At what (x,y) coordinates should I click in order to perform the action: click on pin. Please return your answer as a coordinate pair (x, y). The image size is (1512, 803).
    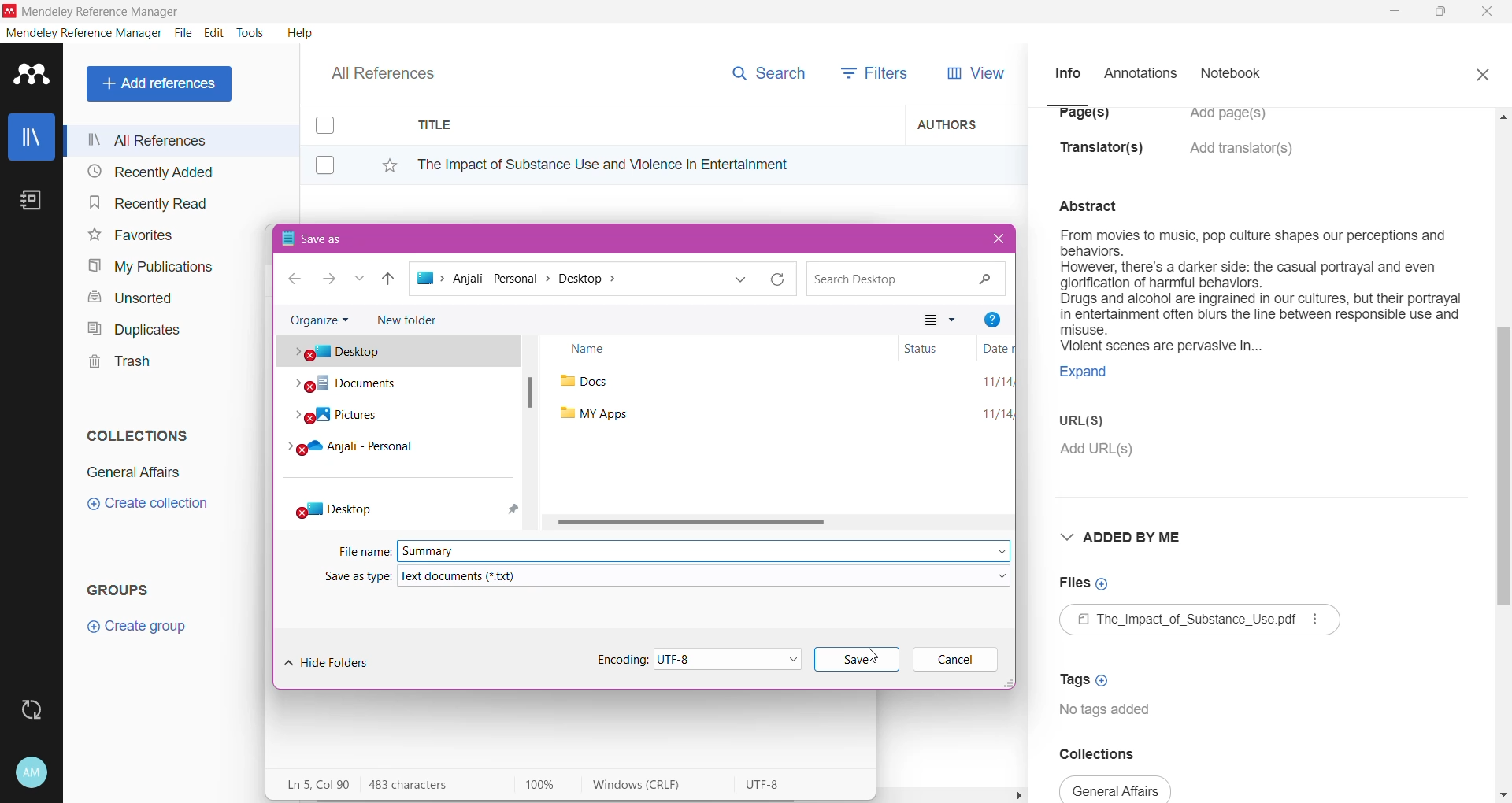
    Looking at the image, I should click on (510, 508).